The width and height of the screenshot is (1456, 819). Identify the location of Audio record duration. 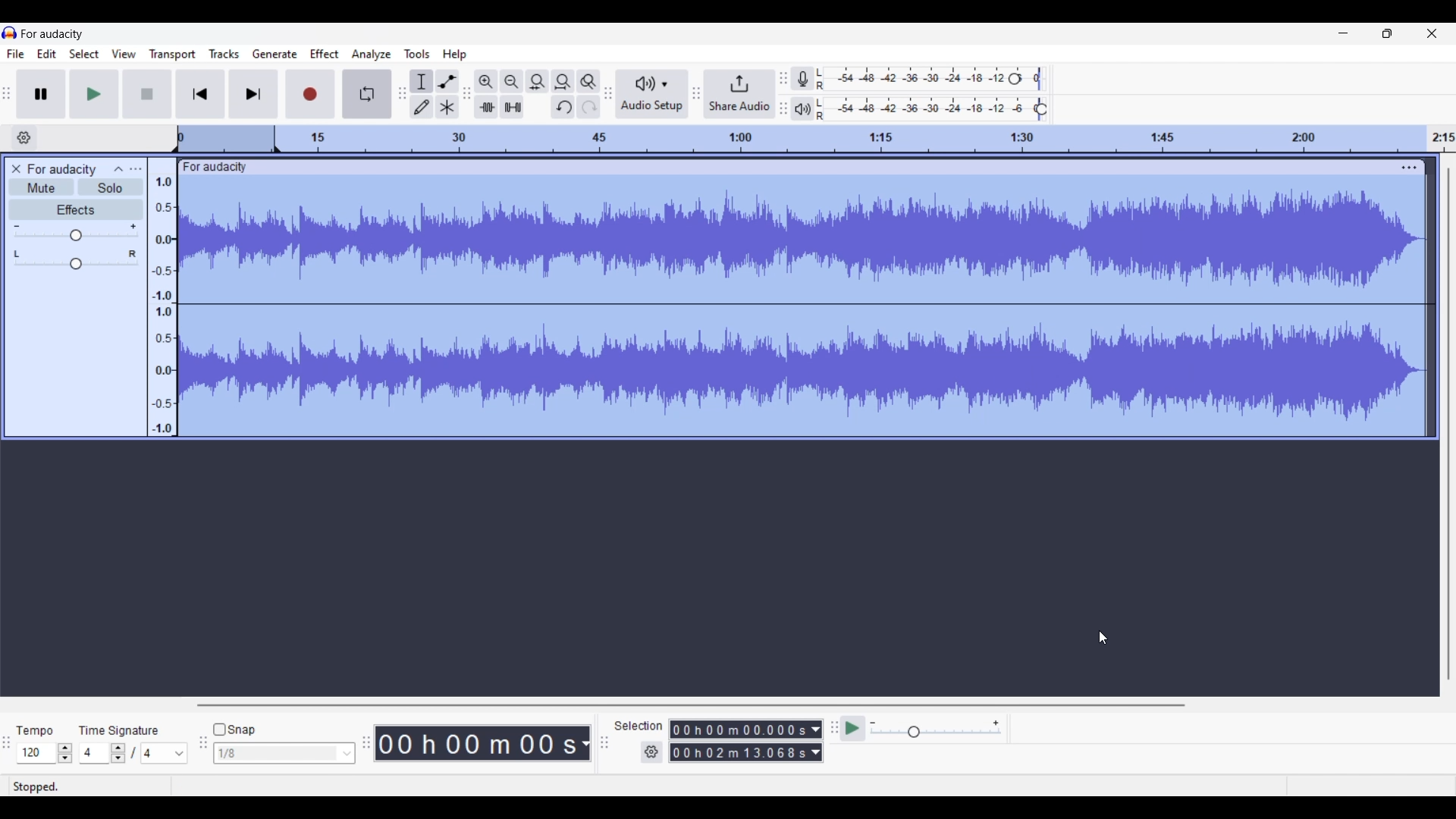
(585, 744).